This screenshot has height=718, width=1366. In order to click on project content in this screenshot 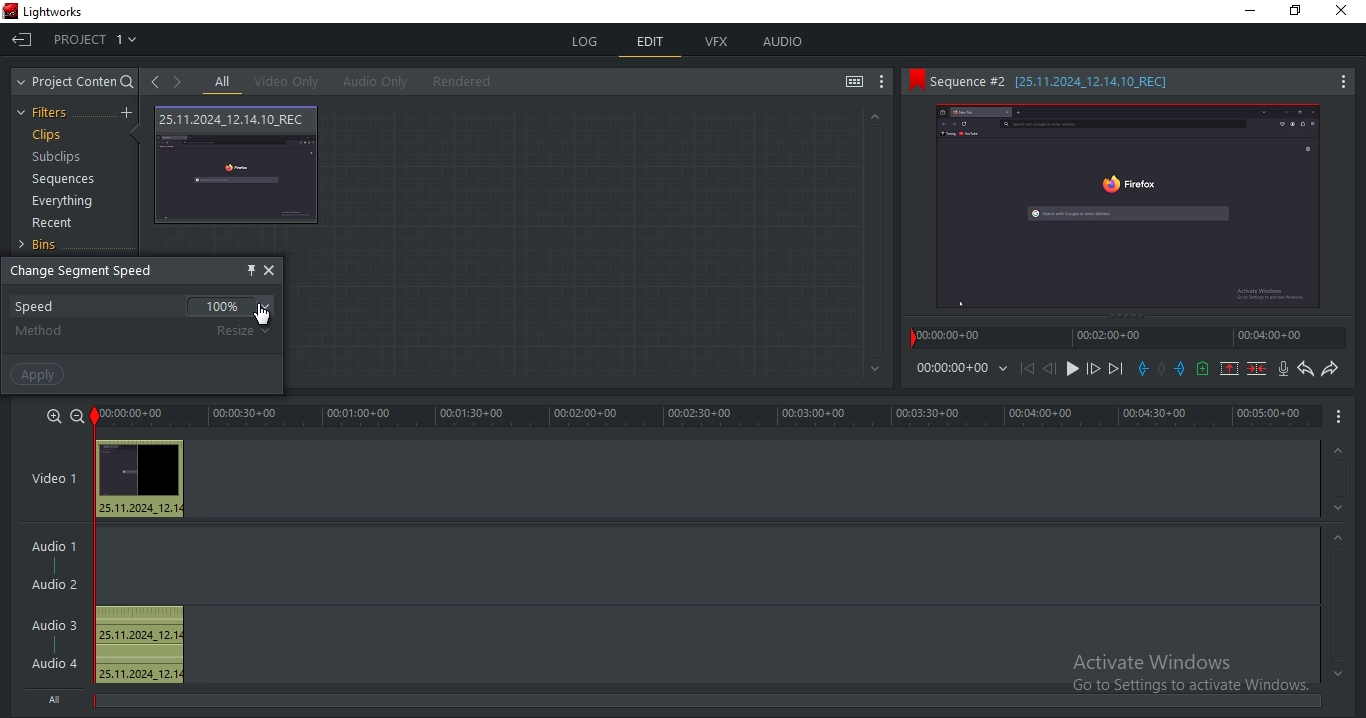, I will do `click(75, 82)`.